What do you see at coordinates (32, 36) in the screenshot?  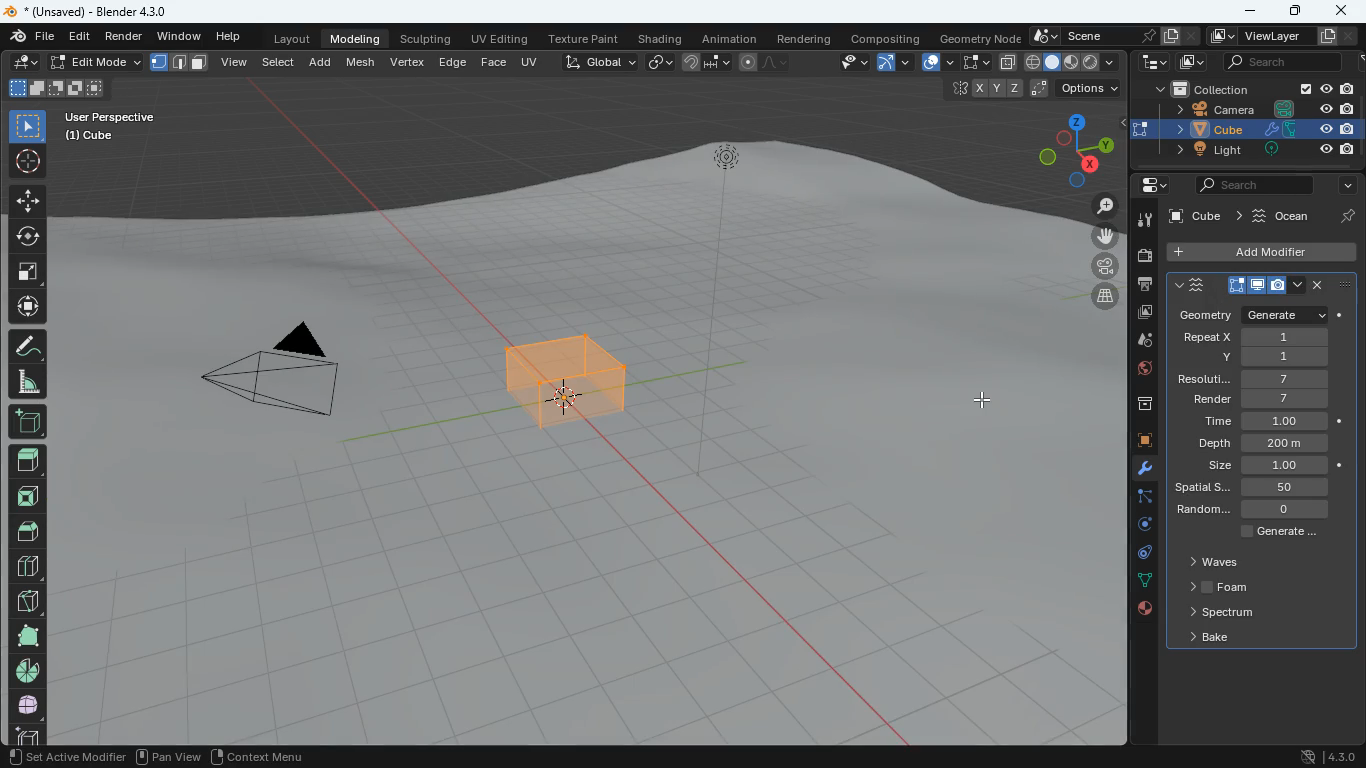 I see `file` at bounding box center [32, 36].